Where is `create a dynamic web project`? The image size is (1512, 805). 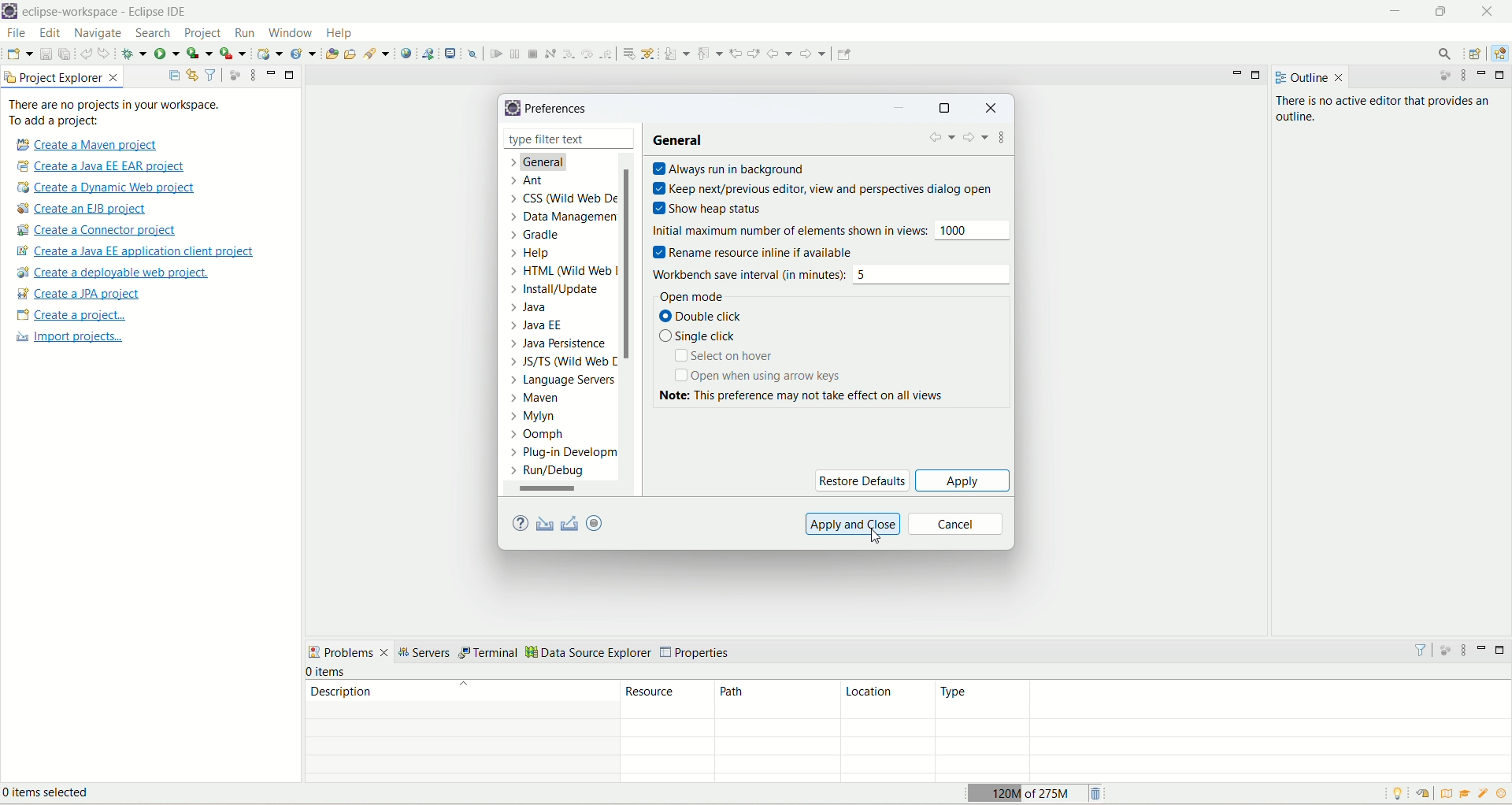
create a dynamic web project is located at coordinates (270, 54).